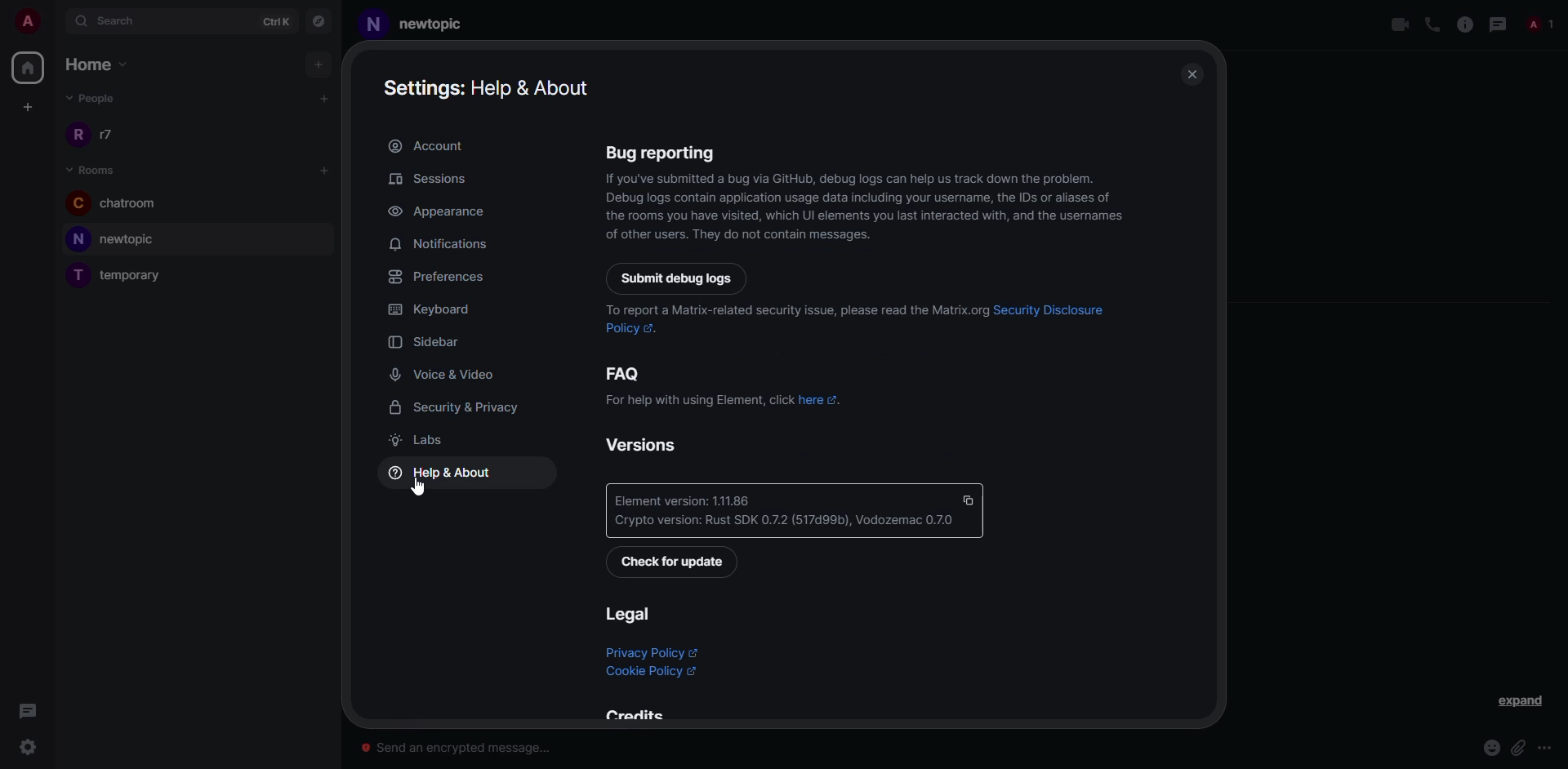 Image resolution: width=1568 pixels, height=769 pixels. What do you see at coordinates (276, 21) in the screenshot?
I see `ctrlK` at bounding box center [276, 21].